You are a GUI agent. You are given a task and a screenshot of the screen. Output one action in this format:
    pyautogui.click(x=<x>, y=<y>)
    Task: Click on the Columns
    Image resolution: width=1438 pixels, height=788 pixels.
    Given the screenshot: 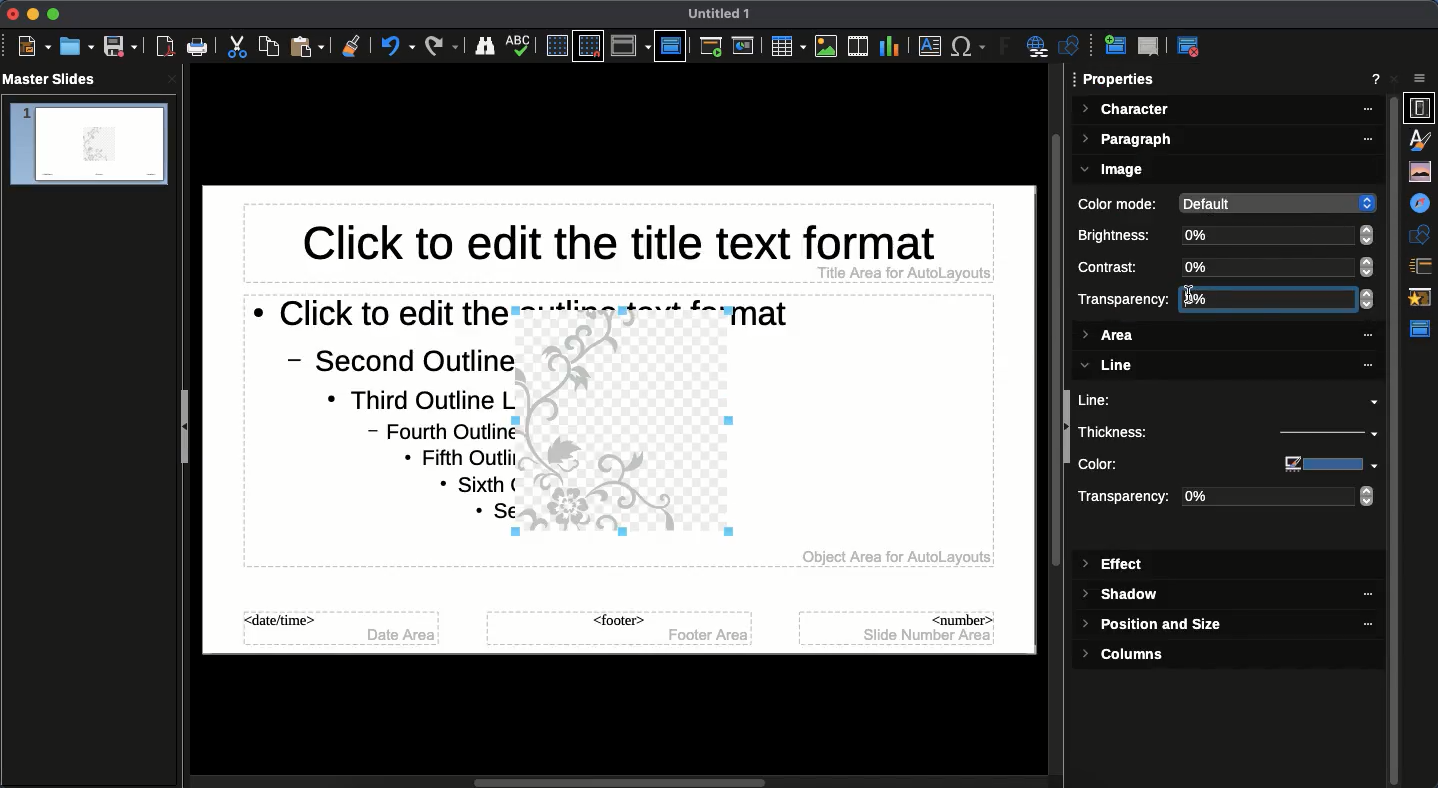 What is the action you would take?
    pyautogui.click(x=1131, y=654)
    